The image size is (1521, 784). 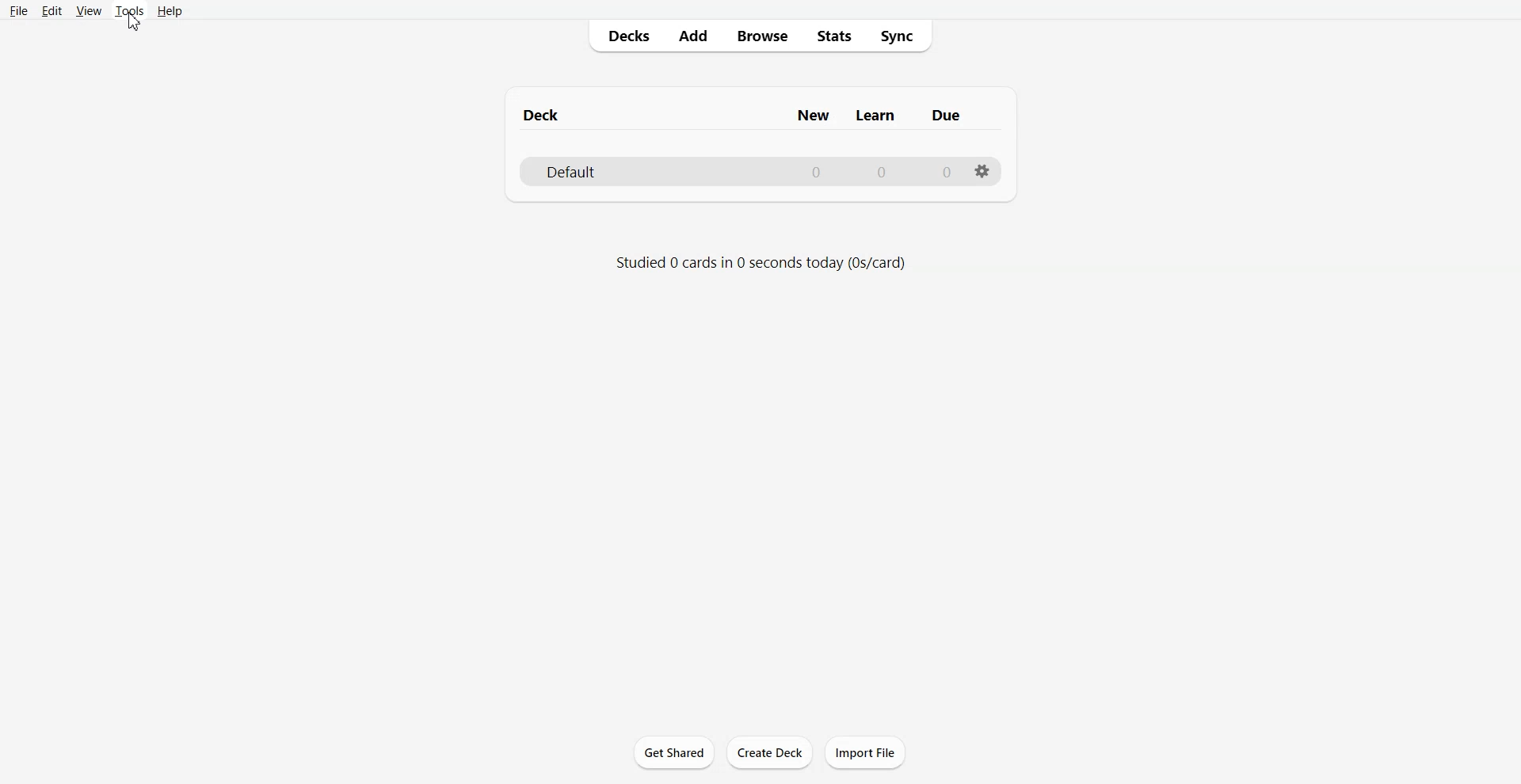 I want to click on Sync, so click(x=900, y=36).